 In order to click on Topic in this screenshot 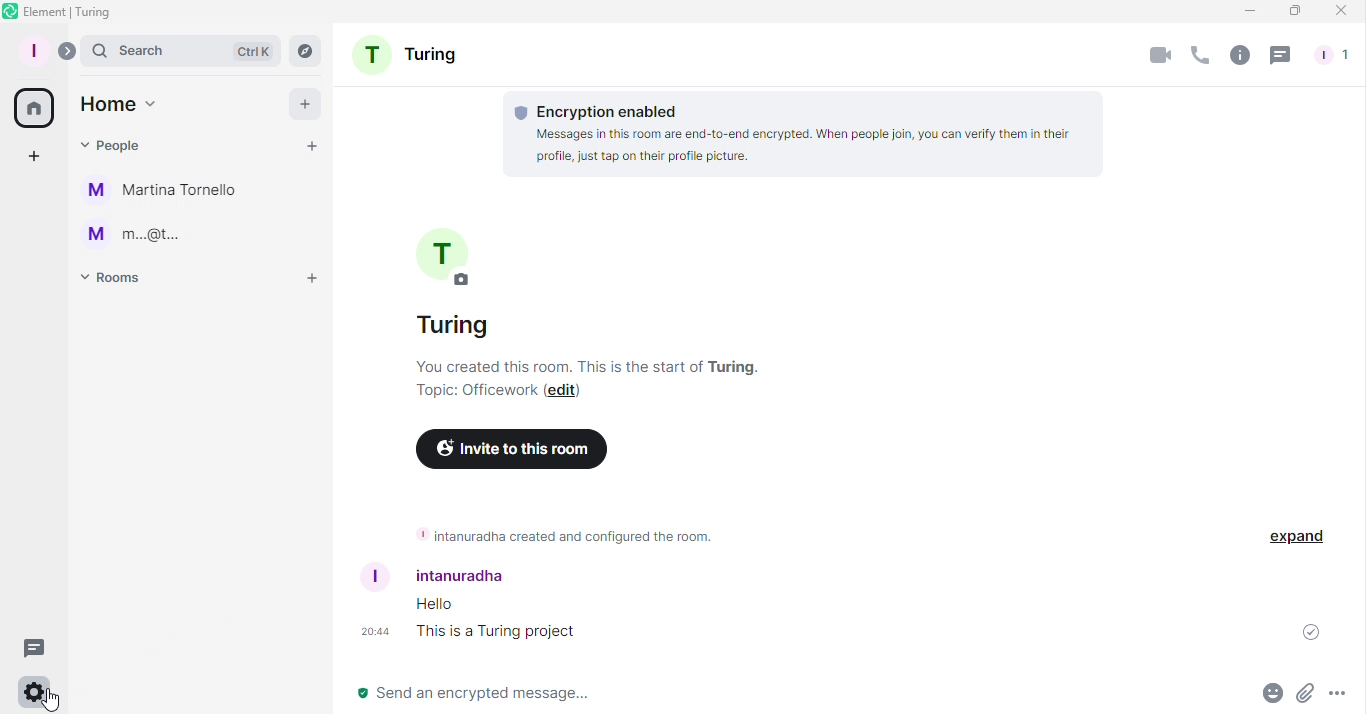, I will do `click(460, 392)`.